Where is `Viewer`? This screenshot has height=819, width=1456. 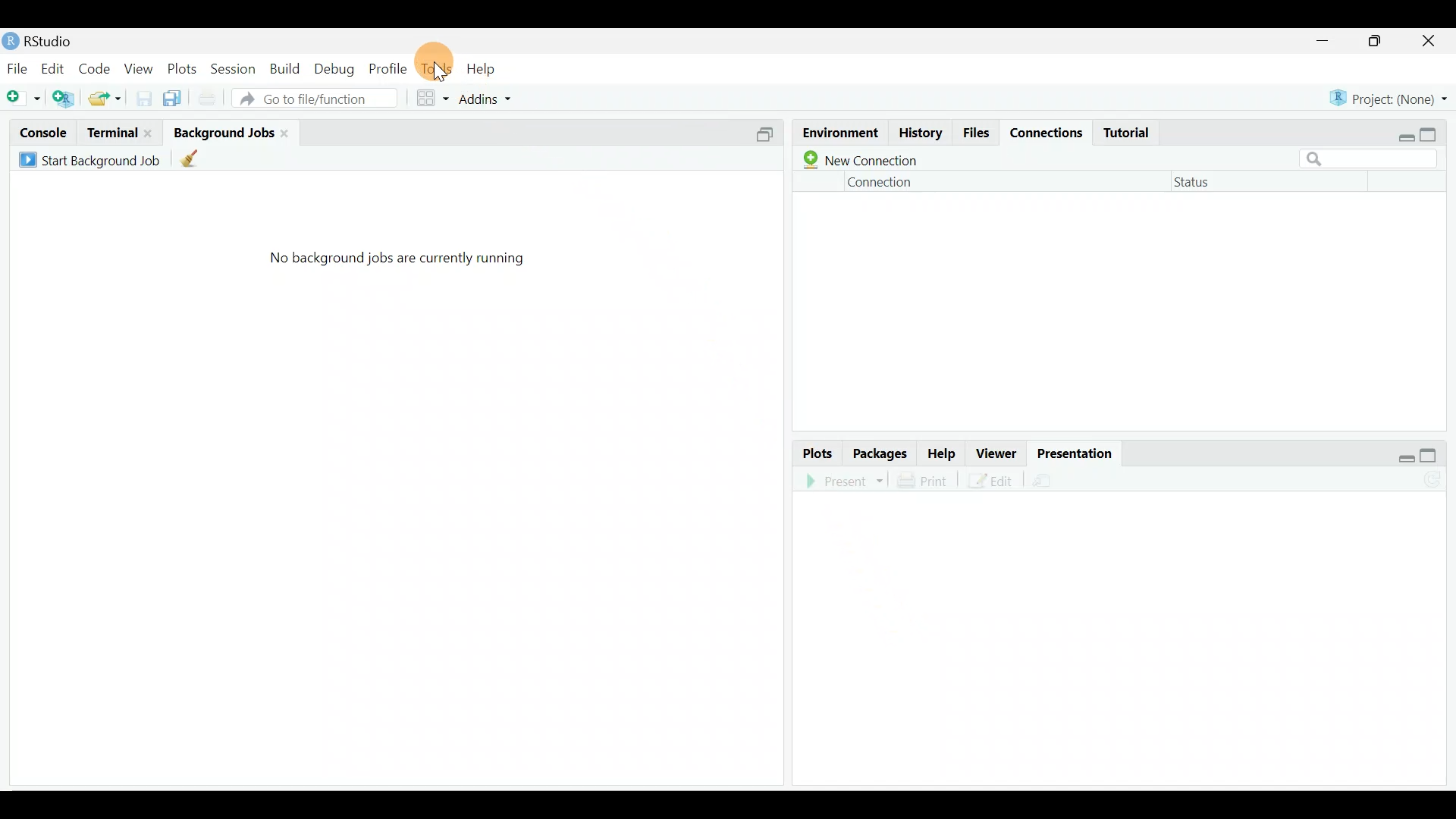
Viewer is located at coordinates (993, 449).